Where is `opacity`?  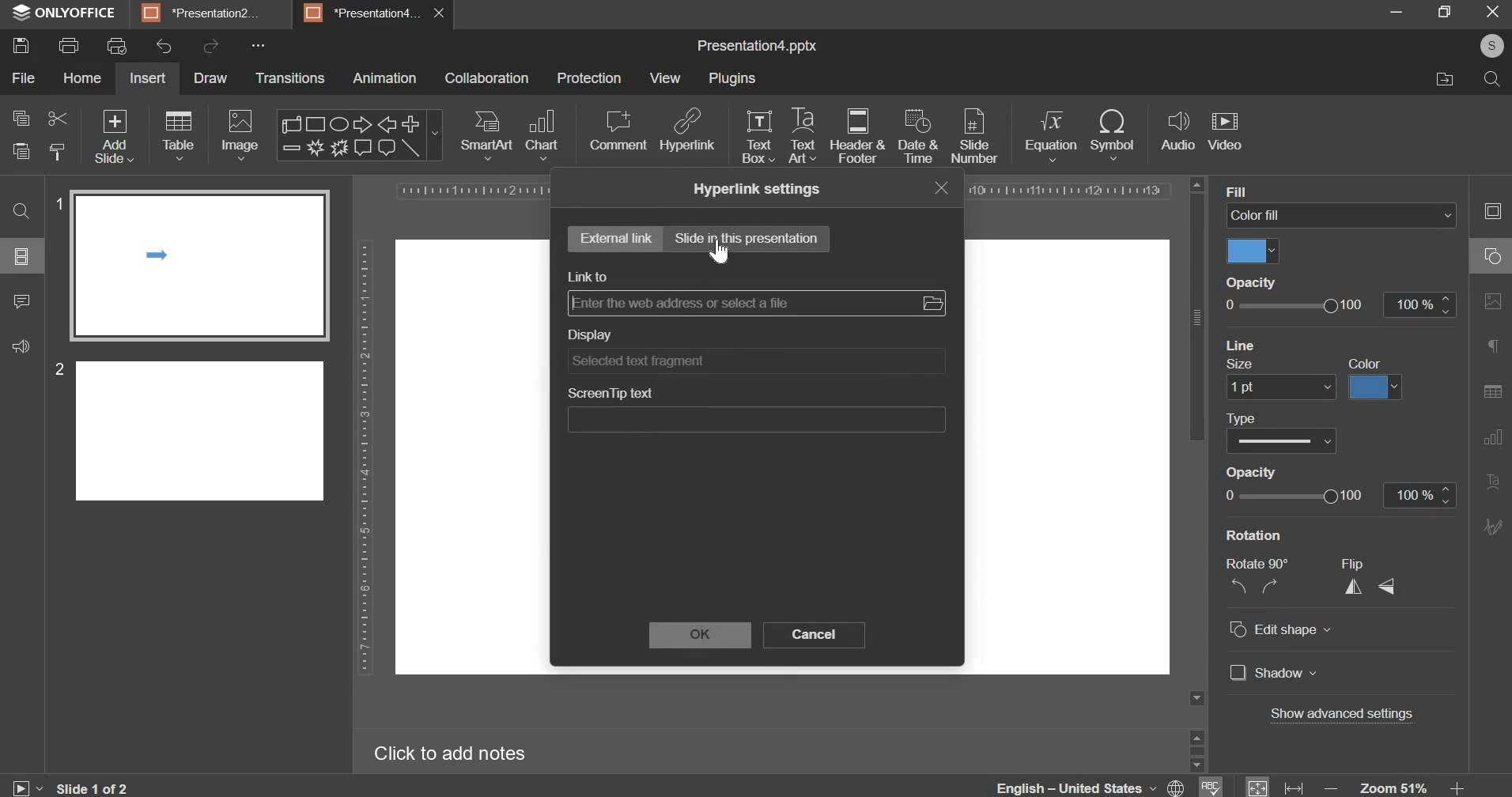 opacity is located at coordinates (1341, 304).